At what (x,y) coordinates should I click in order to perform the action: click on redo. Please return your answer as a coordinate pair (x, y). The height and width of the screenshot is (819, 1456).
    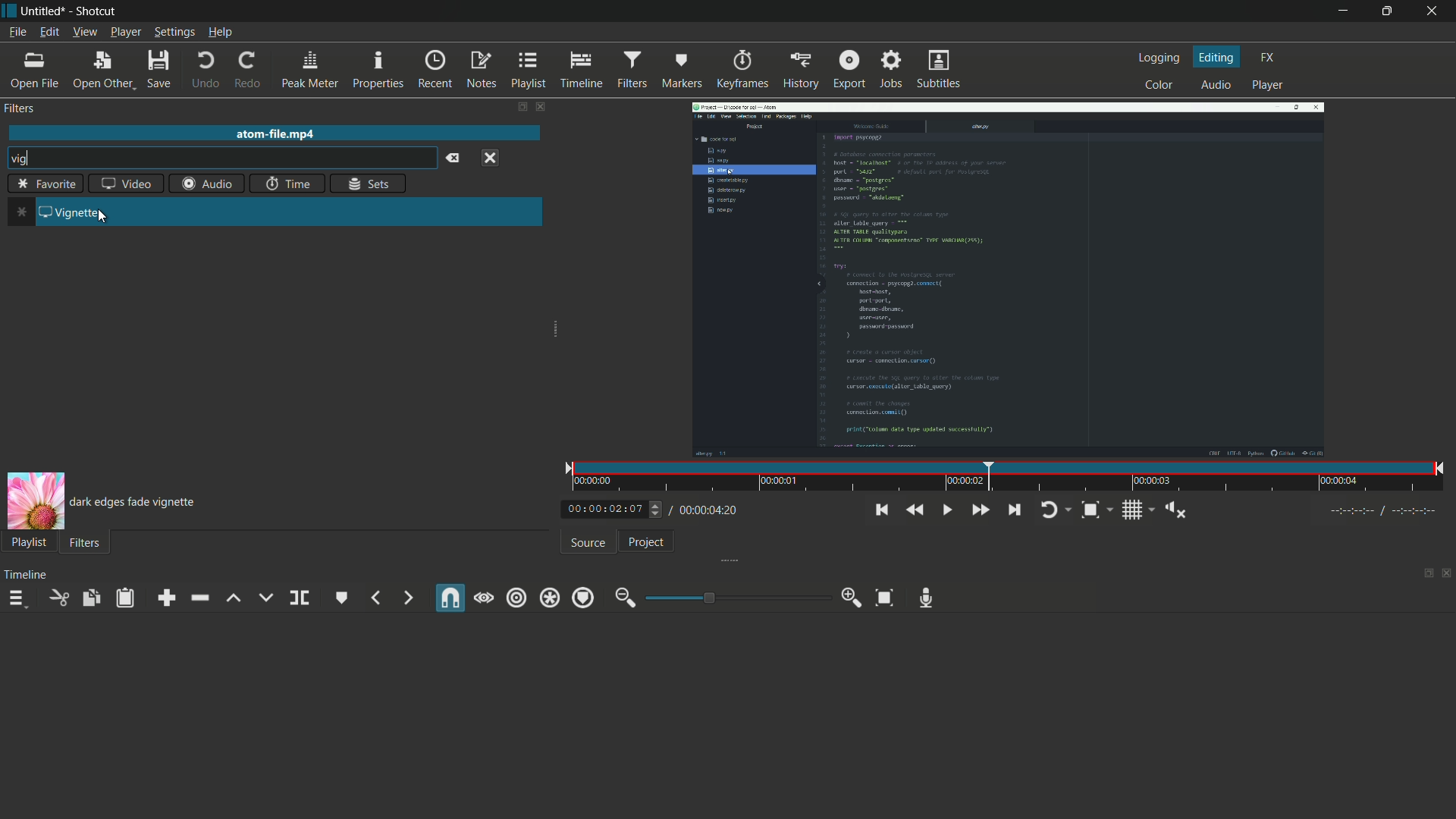
    Looking at the image, I should click on (246, 71).